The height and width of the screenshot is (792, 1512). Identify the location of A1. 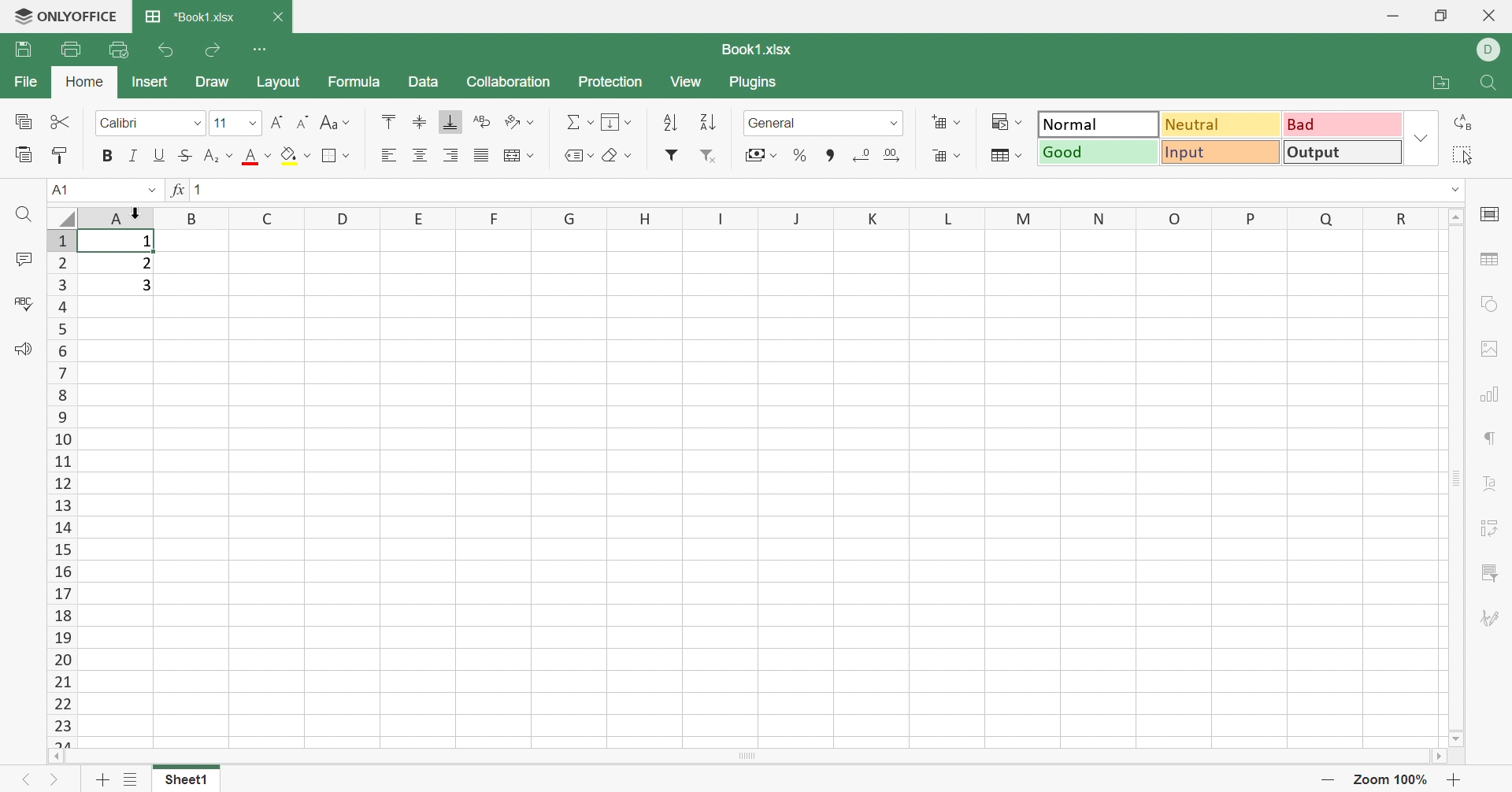
(61, 191).